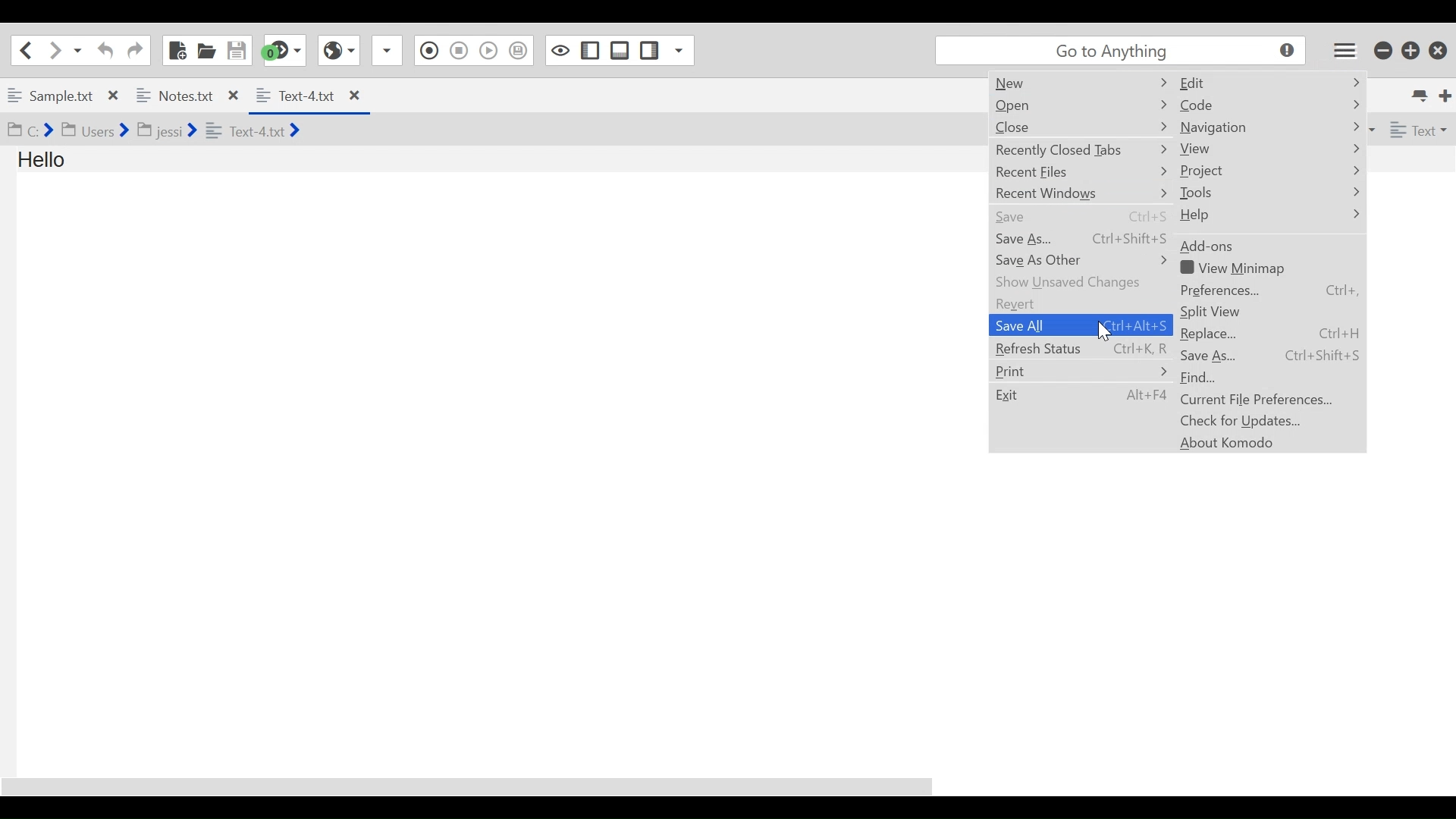 The image size is (1456, 819). What do you see at coordinates (29, 50) in the screenshot?
I see `Go back one location` at bounding box center [29, 50].